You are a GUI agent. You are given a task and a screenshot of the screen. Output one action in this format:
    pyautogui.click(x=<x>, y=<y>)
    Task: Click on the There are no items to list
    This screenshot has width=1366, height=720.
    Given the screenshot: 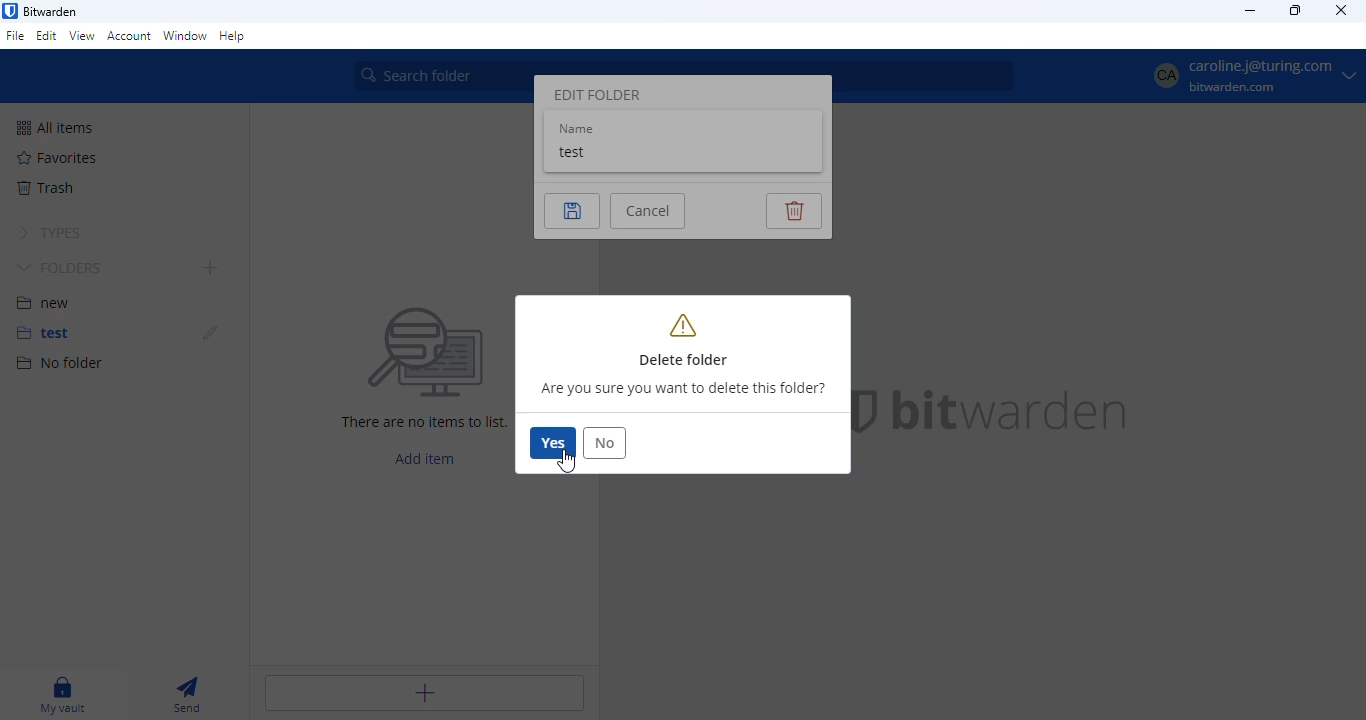 What is the action you would take?
    pyautogui.click(x=423, y=422)
    